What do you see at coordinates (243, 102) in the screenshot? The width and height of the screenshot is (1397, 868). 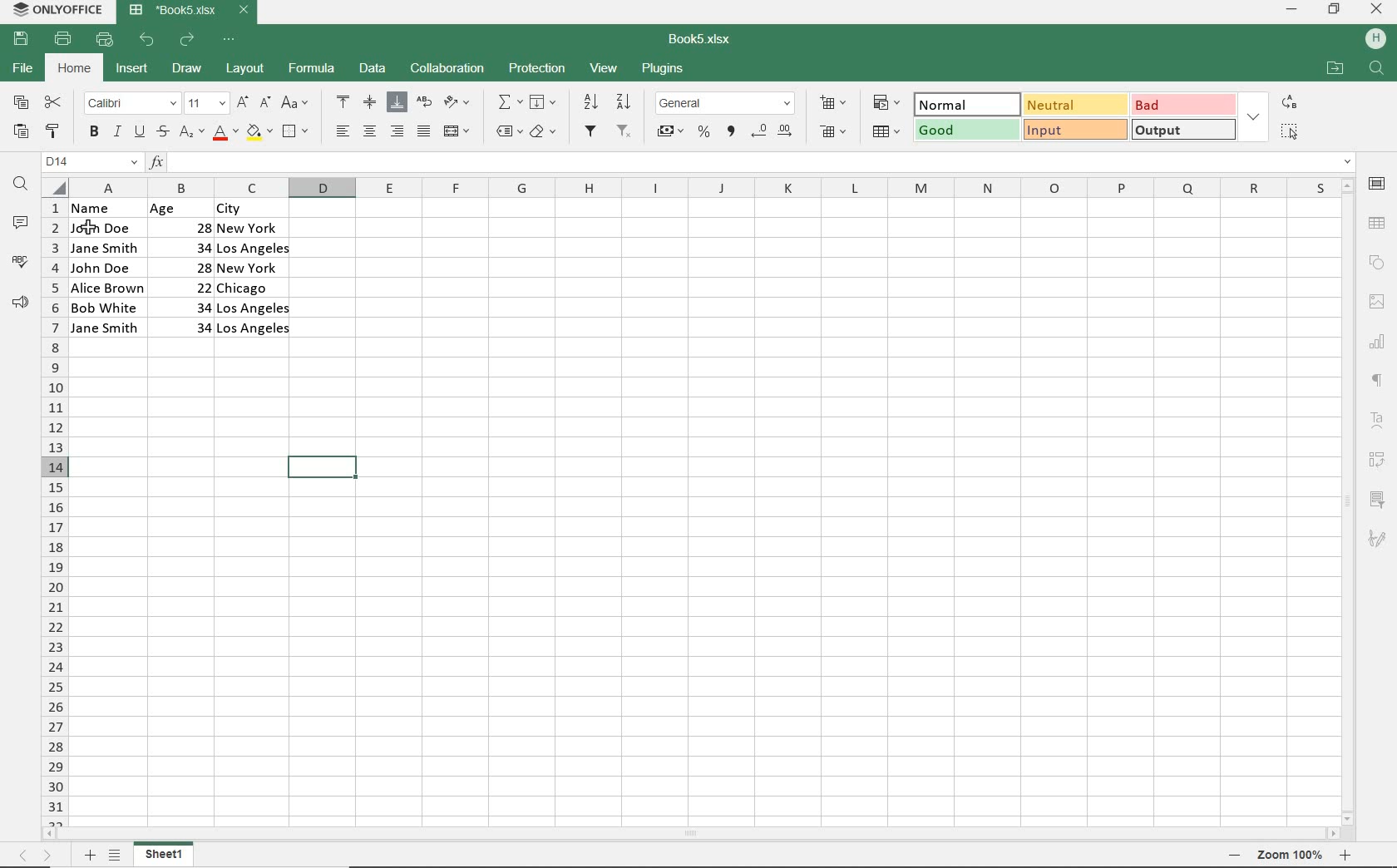 I see `INCREMENT FONT SIZE` at bounding box center [243, 102].